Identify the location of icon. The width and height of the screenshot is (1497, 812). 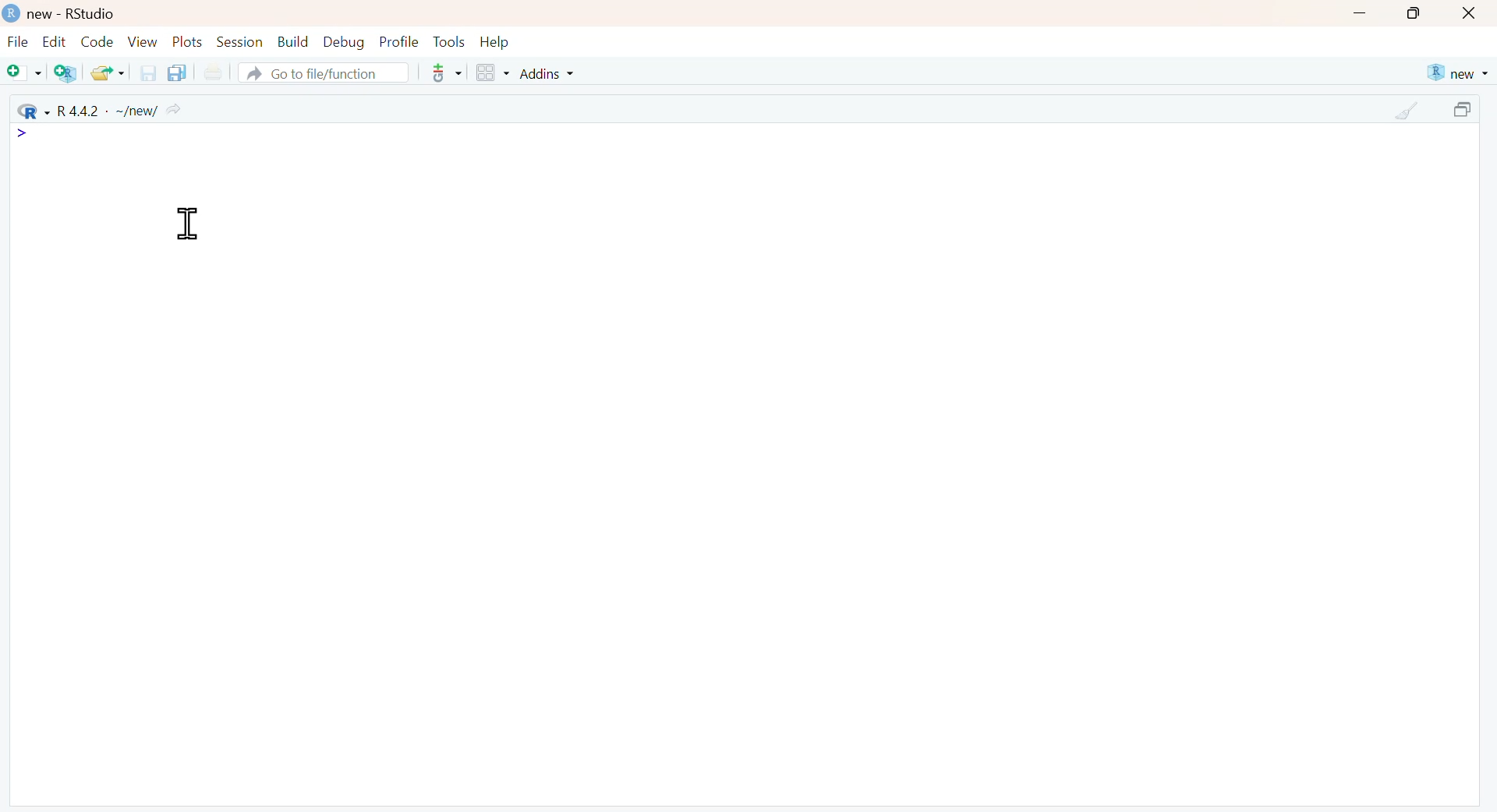
(23, 133).